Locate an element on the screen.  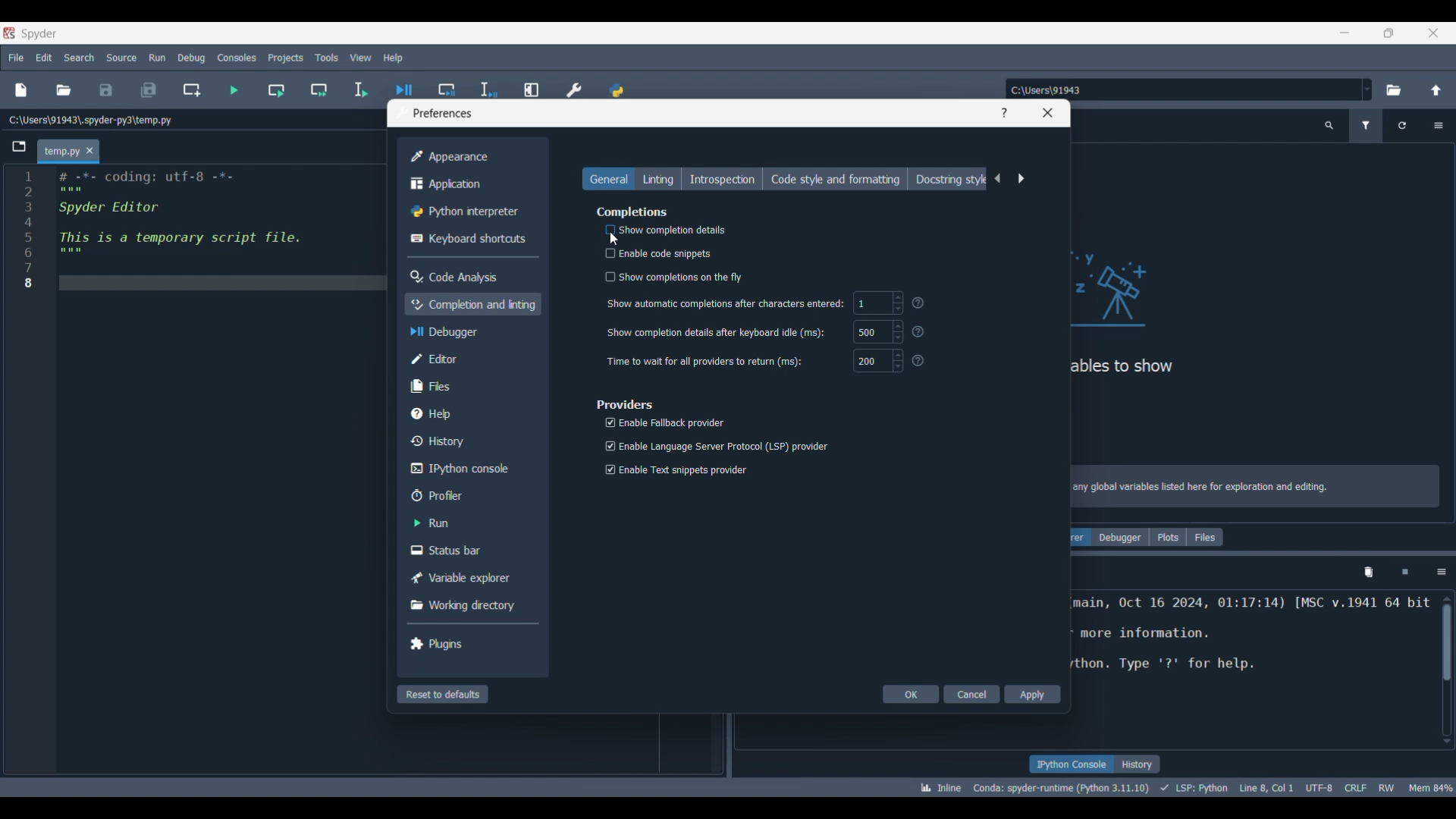
IPython console is located at coordinates (1071, 764).